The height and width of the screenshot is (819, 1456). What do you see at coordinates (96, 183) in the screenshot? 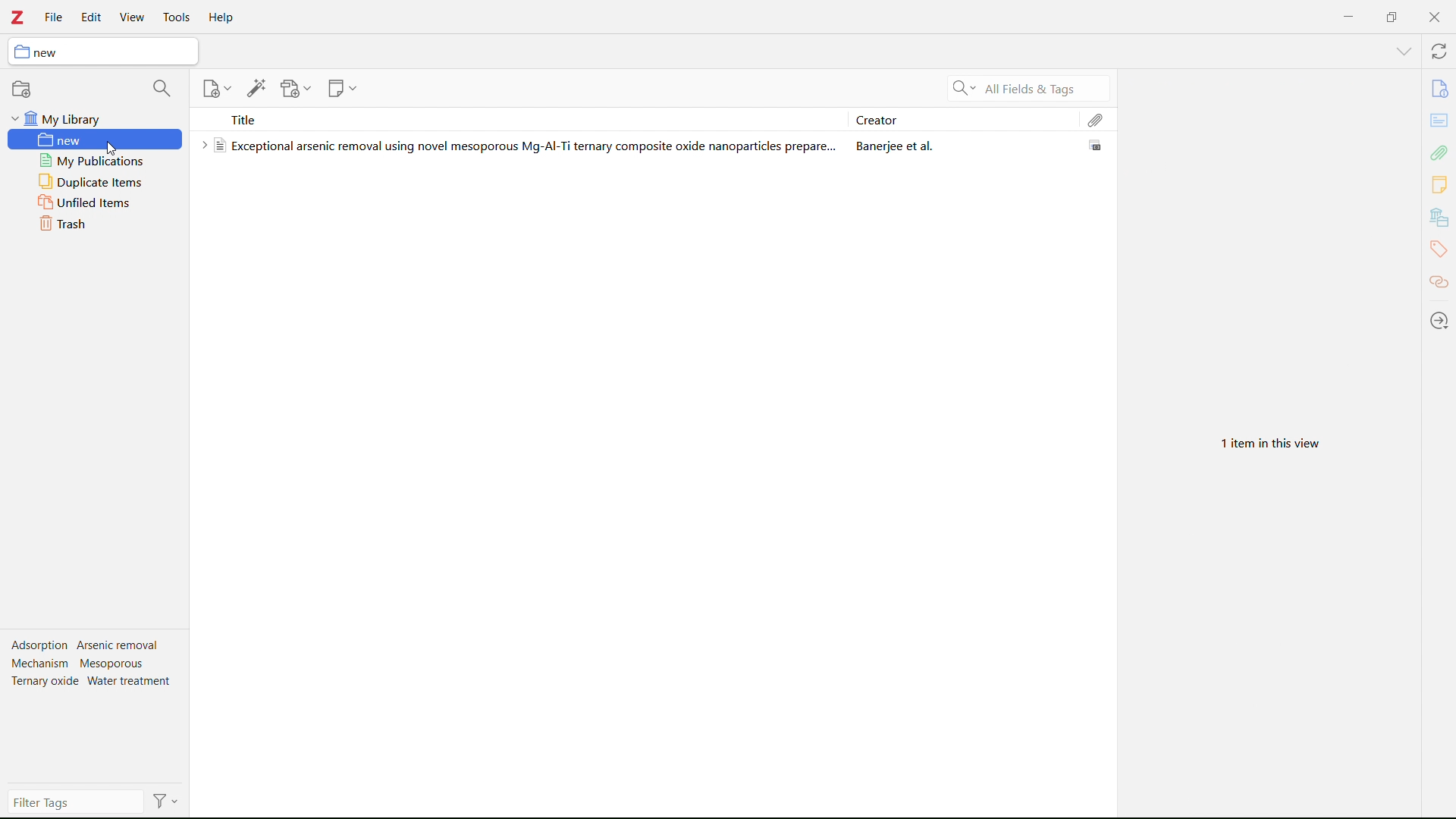
I see `duplicate items` at bounding box center [96, 183].